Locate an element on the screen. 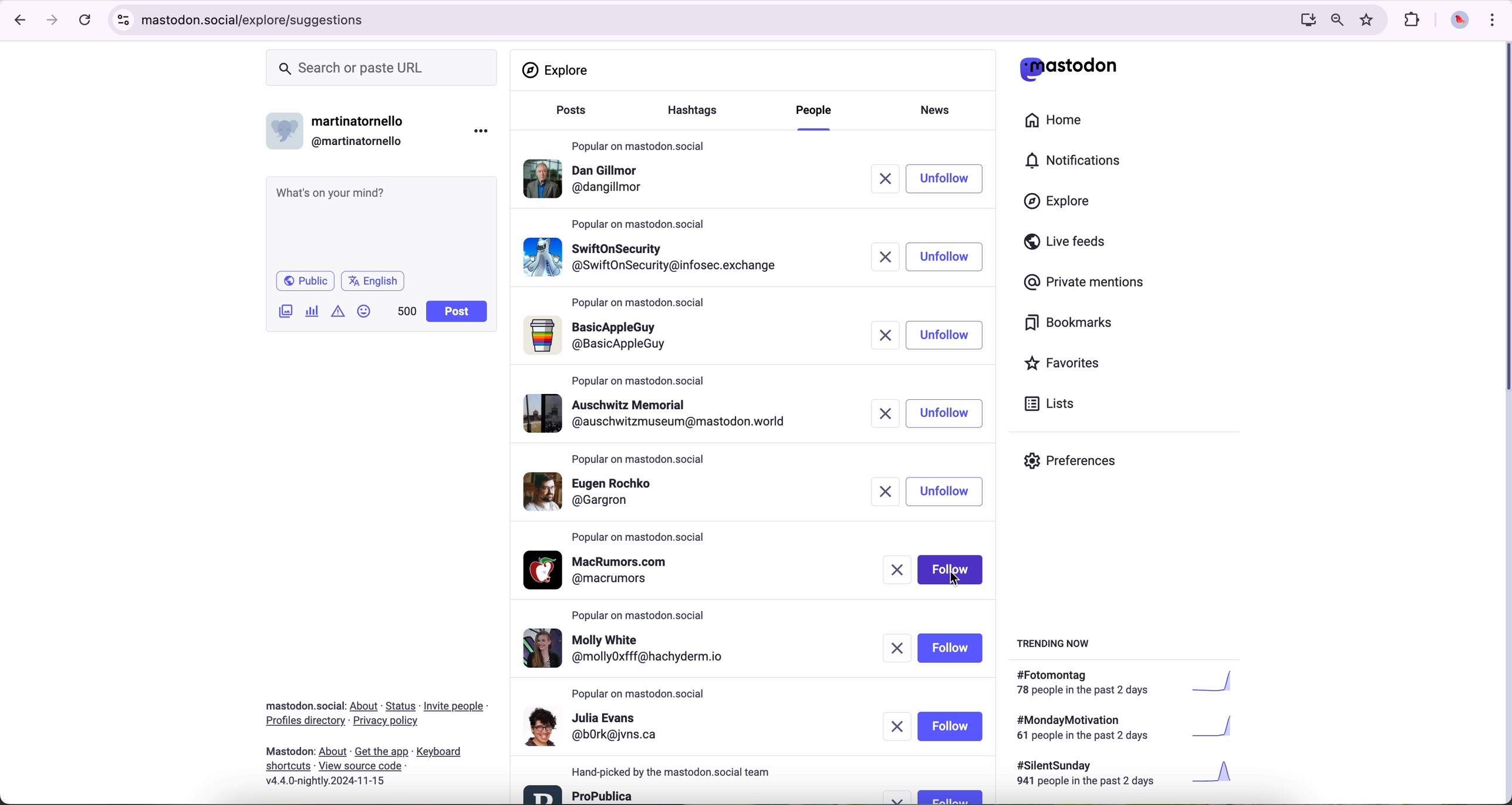 The width and height of the screenshot is (1512, 805). popular on mastodon.social is located at coordinates (644, 613).